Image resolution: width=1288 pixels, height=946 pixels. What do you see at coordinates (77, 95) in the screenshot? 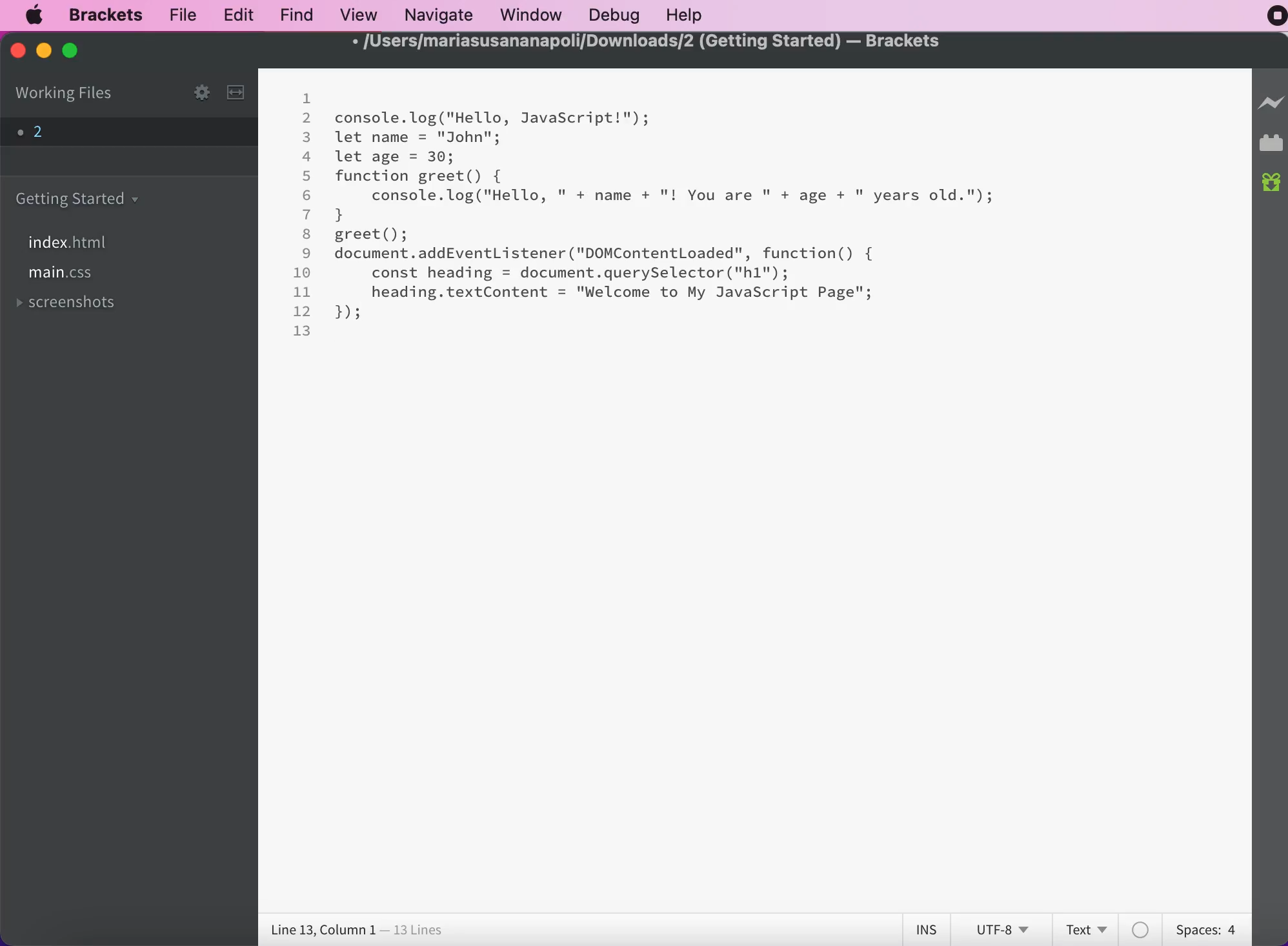
I see `working files` at bounding box center [77, 95].